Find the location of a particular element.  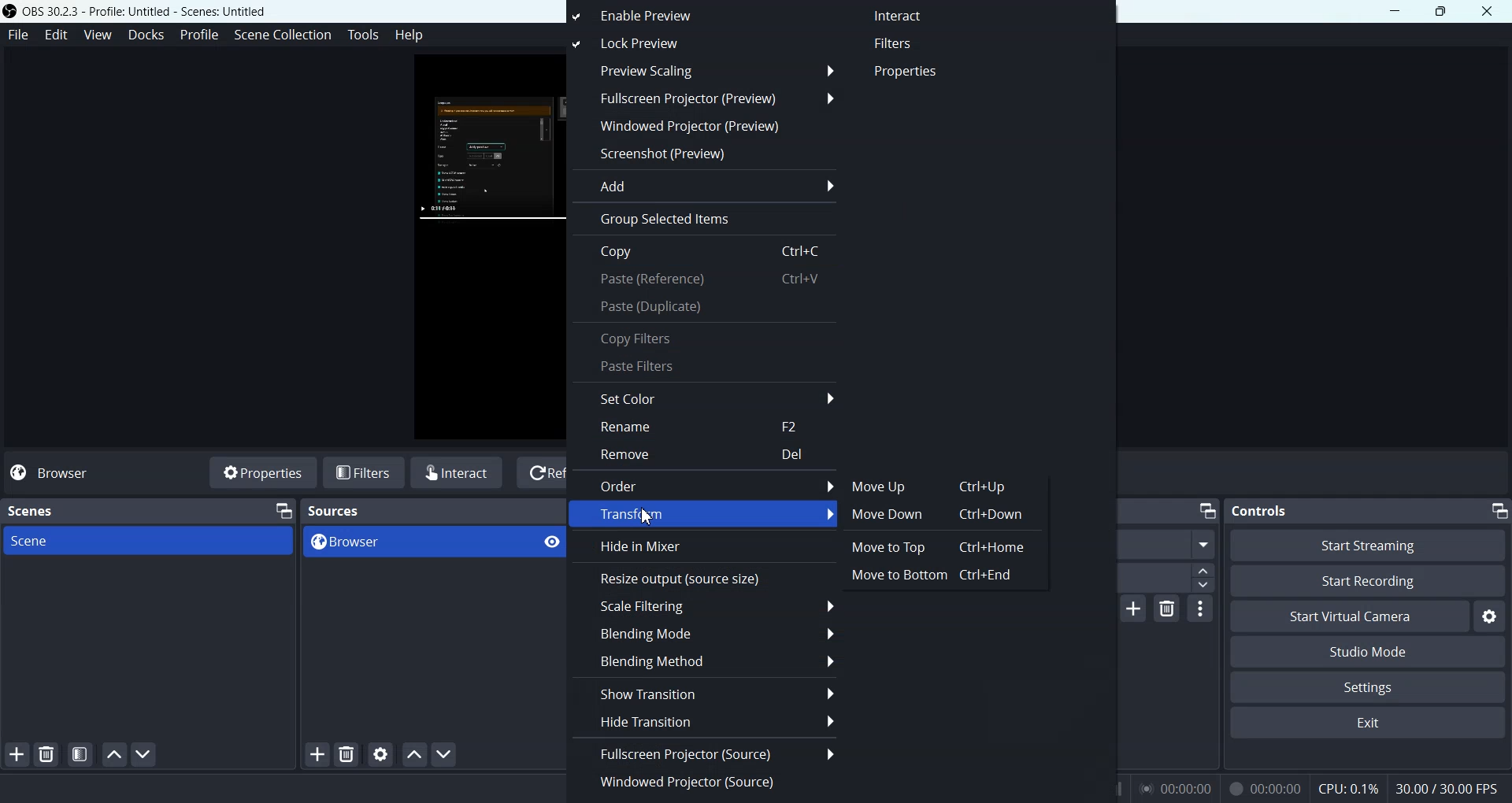

Tools is located at coordinates (363, 34).